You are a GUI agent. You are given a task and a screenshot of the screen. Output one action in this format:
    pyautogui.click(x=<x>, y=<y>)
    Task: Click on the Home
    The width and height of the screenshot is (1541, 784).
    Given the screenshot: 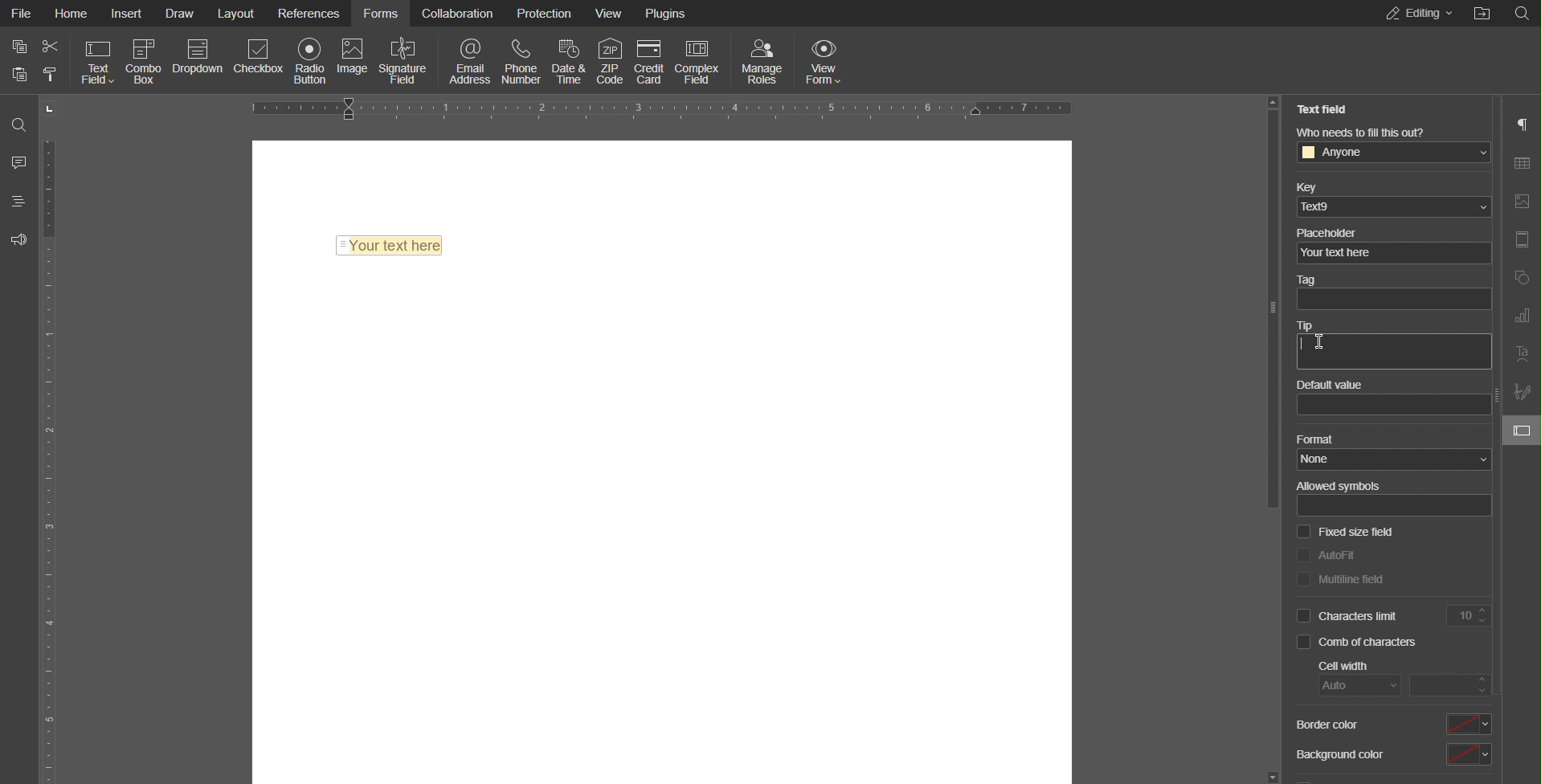 What is the action you would take?
    pyautogui.click(x=71, y=12)
    